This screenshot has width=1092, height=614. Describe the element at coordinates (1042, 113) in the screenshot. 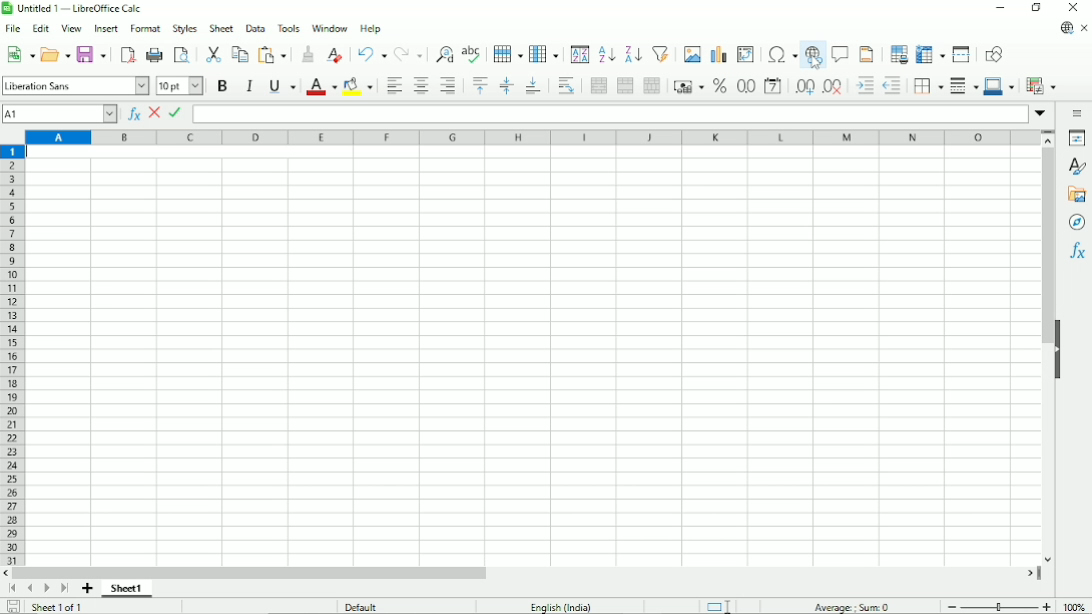

I see `Expand formula bar` at that location.